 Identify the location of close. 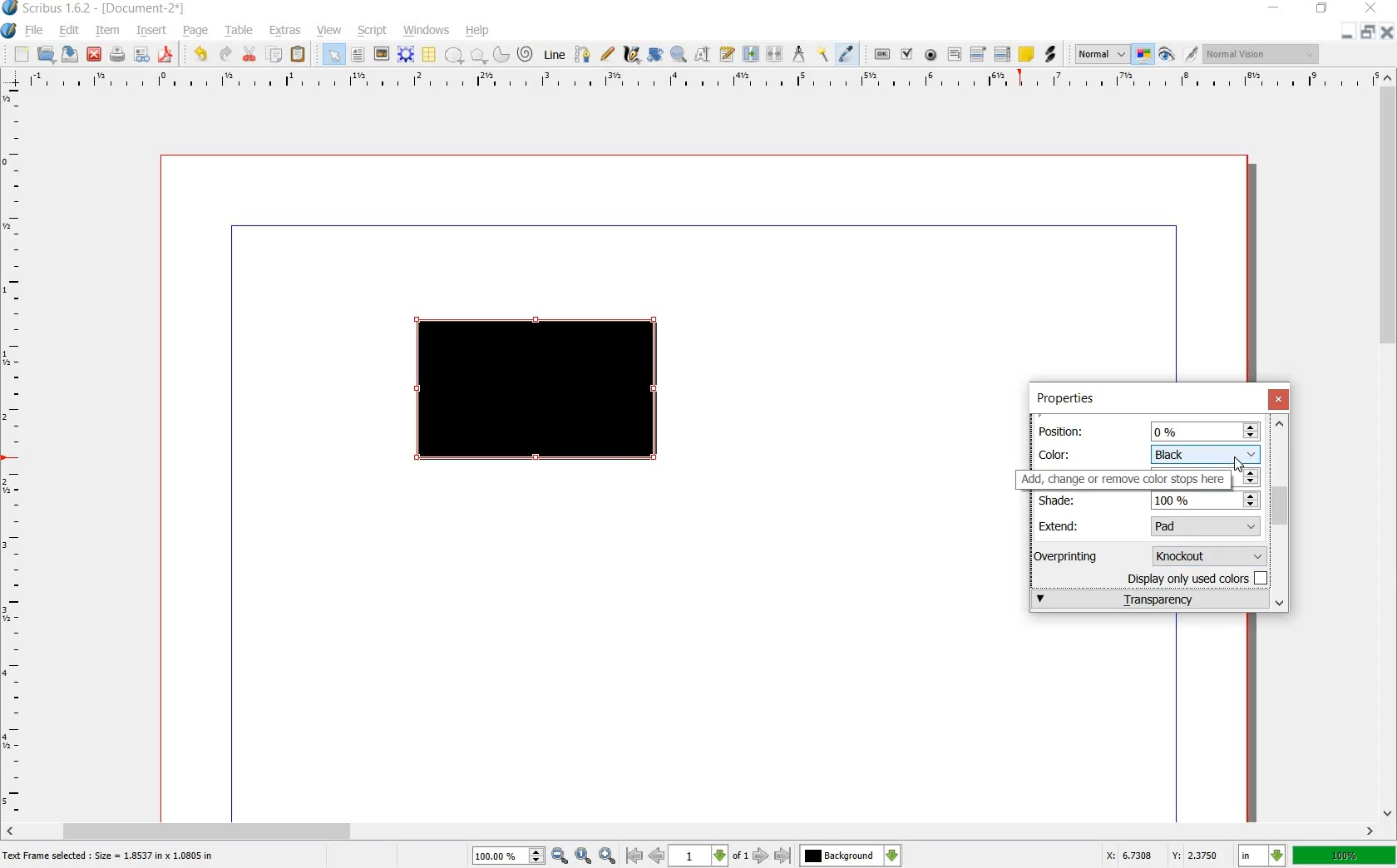
(1374, 7).